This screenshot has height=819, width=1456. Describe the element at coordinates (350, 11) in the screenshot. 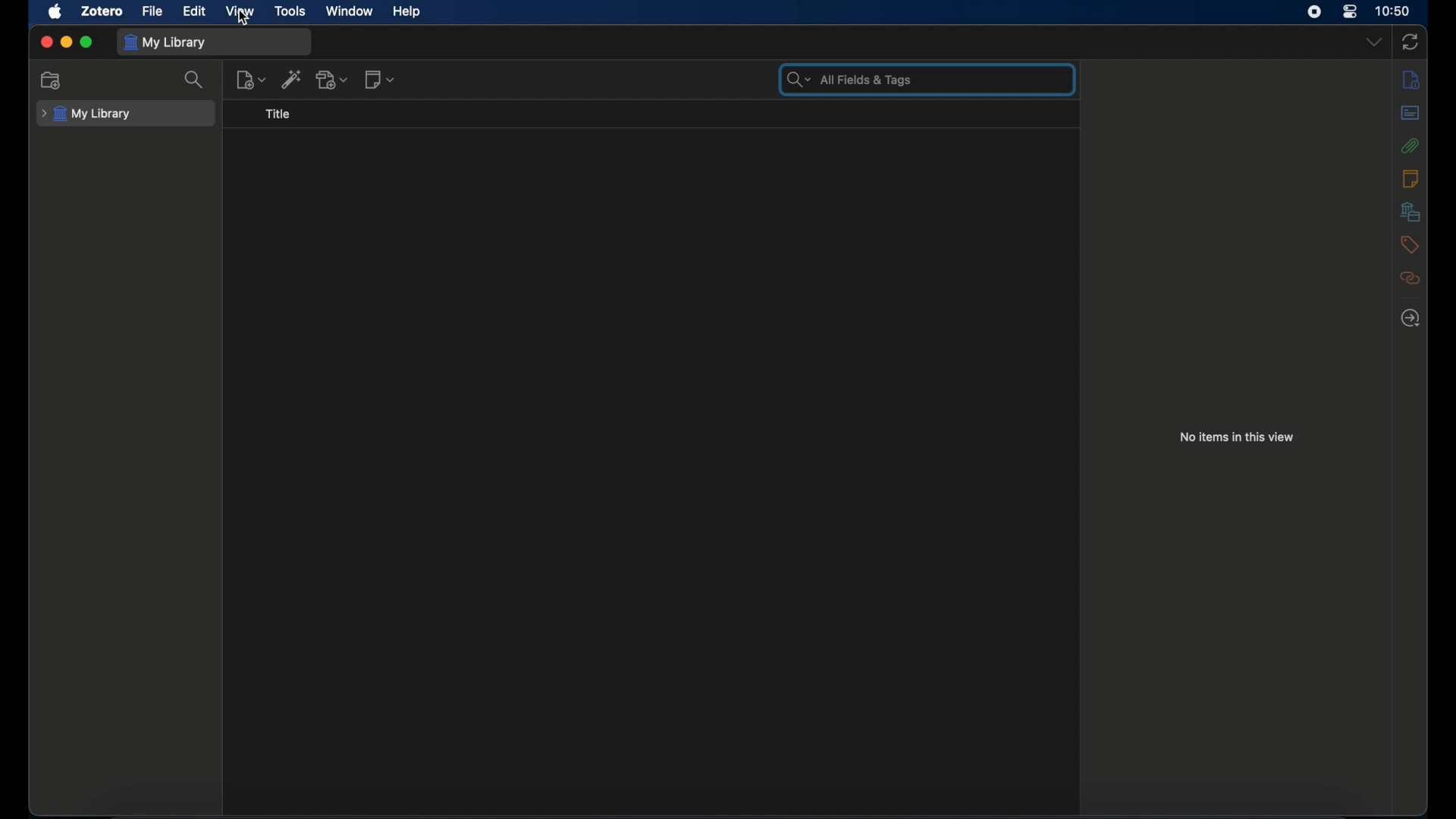

I see `window` at that location.